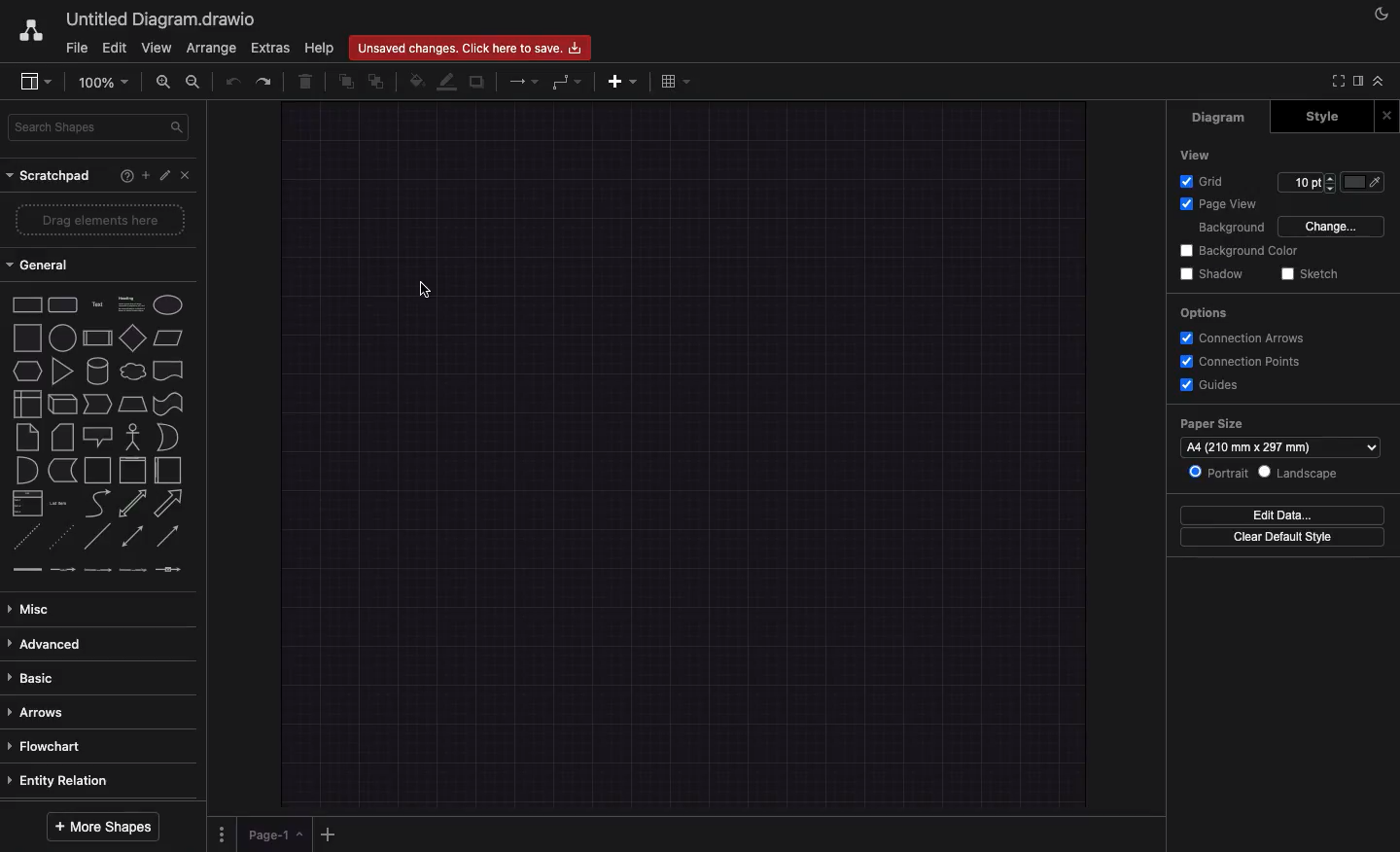  I want to click on parallelogram, so click(134, 338).